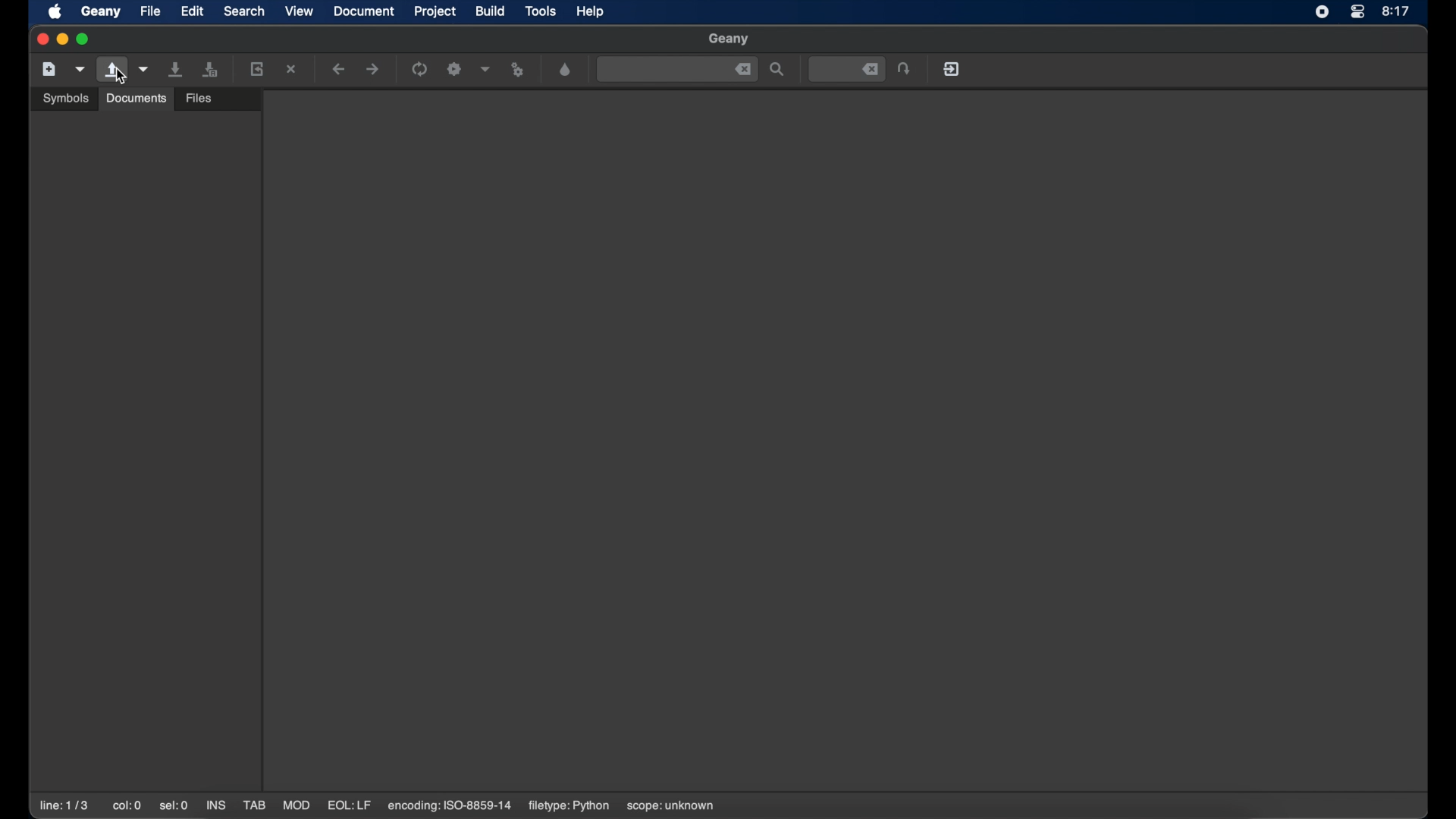 This screenshot has height=819, width=1456. I want to click on help, so click(590, 11).